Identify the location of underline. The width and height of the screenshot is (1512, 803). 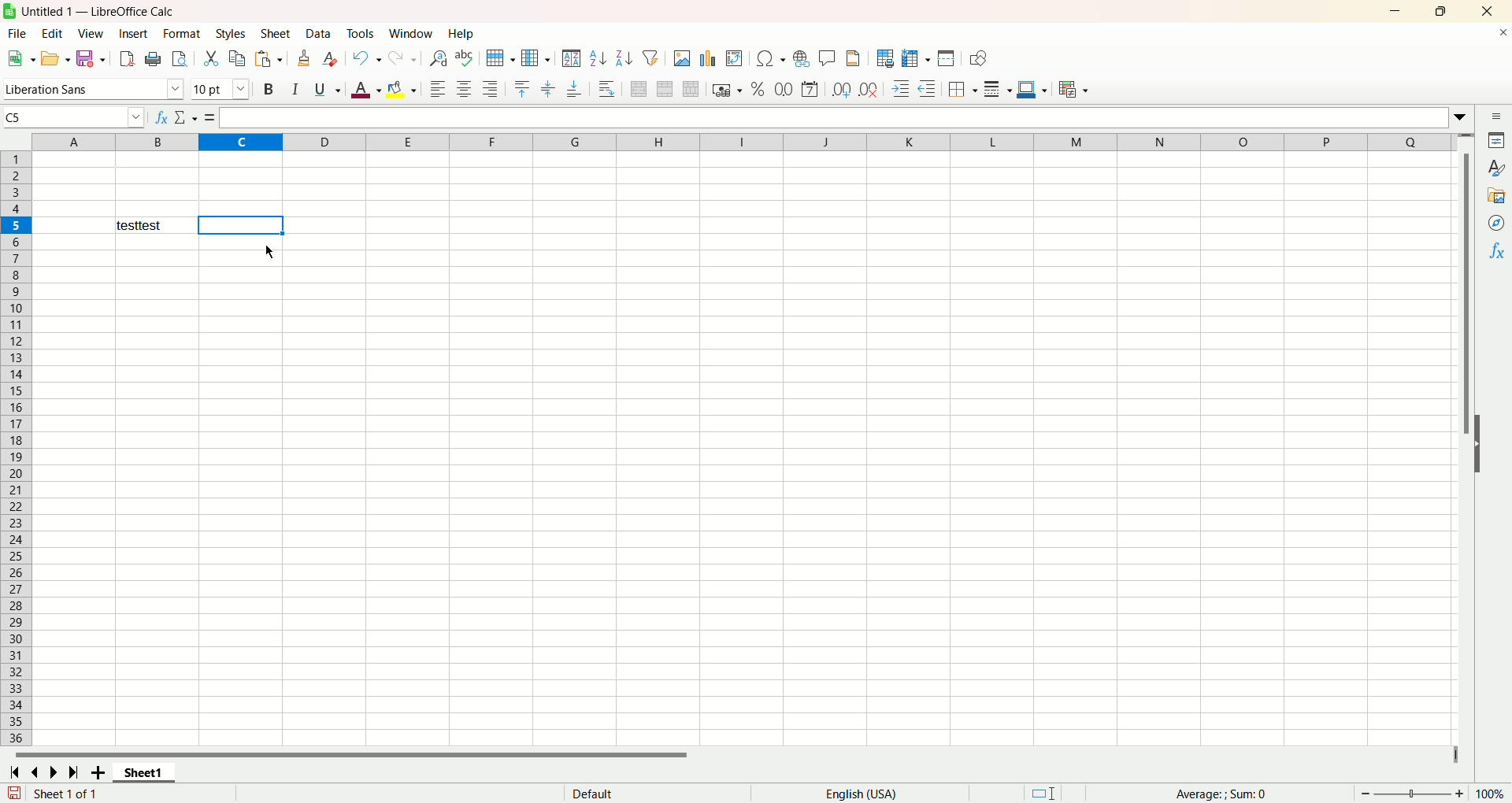
(325, 89).